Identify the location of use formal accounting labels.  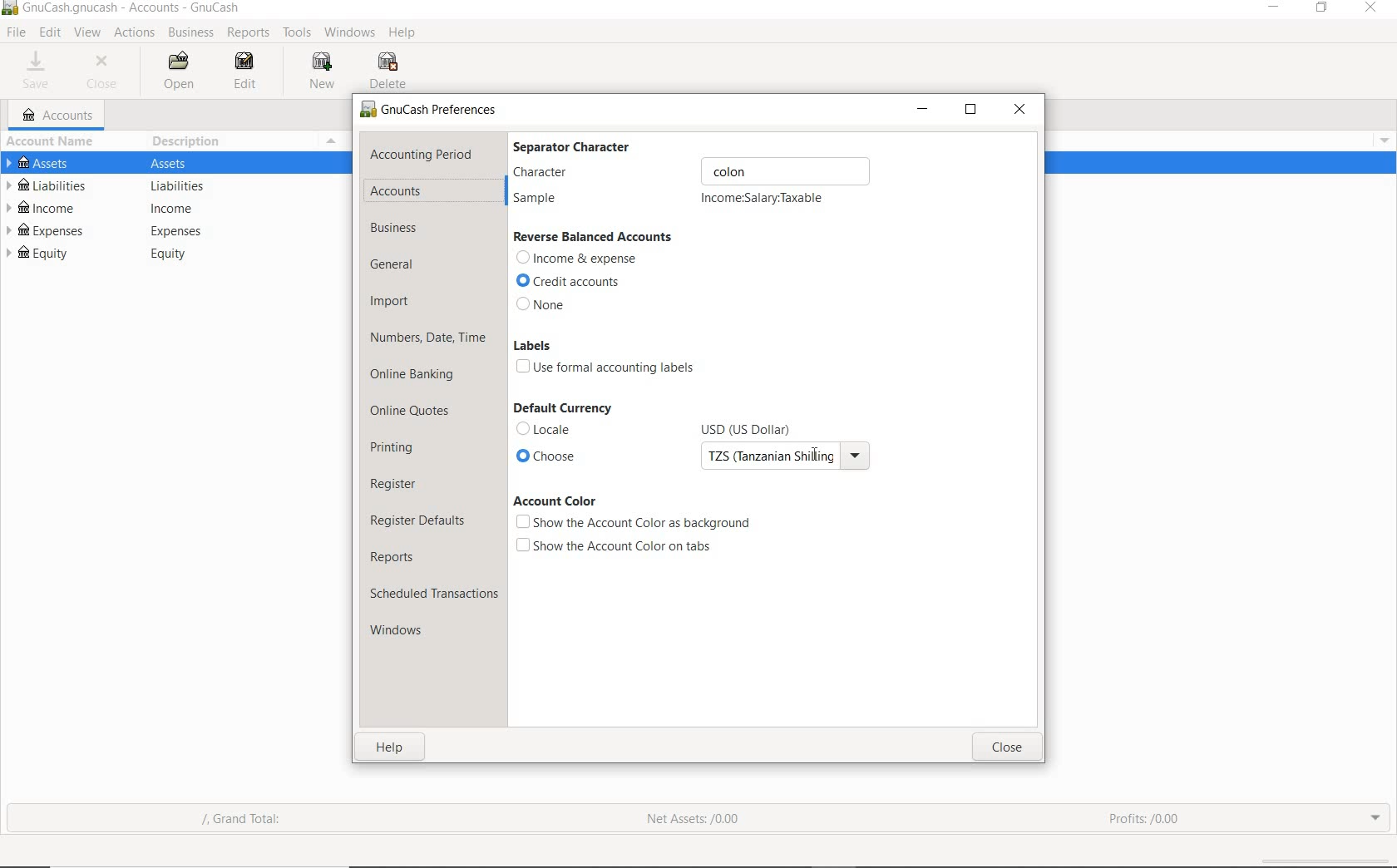
(610, 368).